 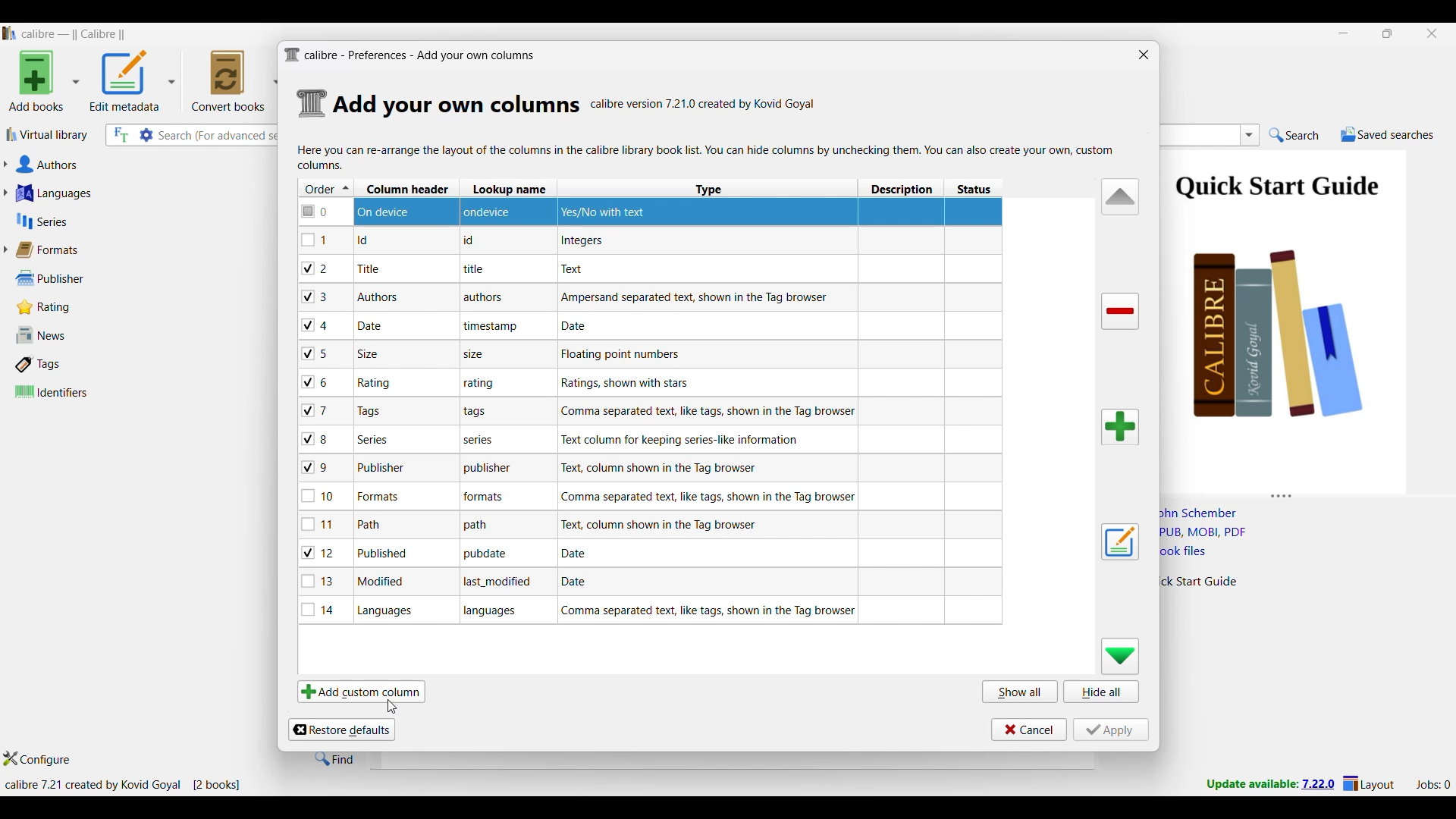 What do you see at coordinates (370, 412) in the screenshot?
I see `Note` at bounding box center [370, 412].